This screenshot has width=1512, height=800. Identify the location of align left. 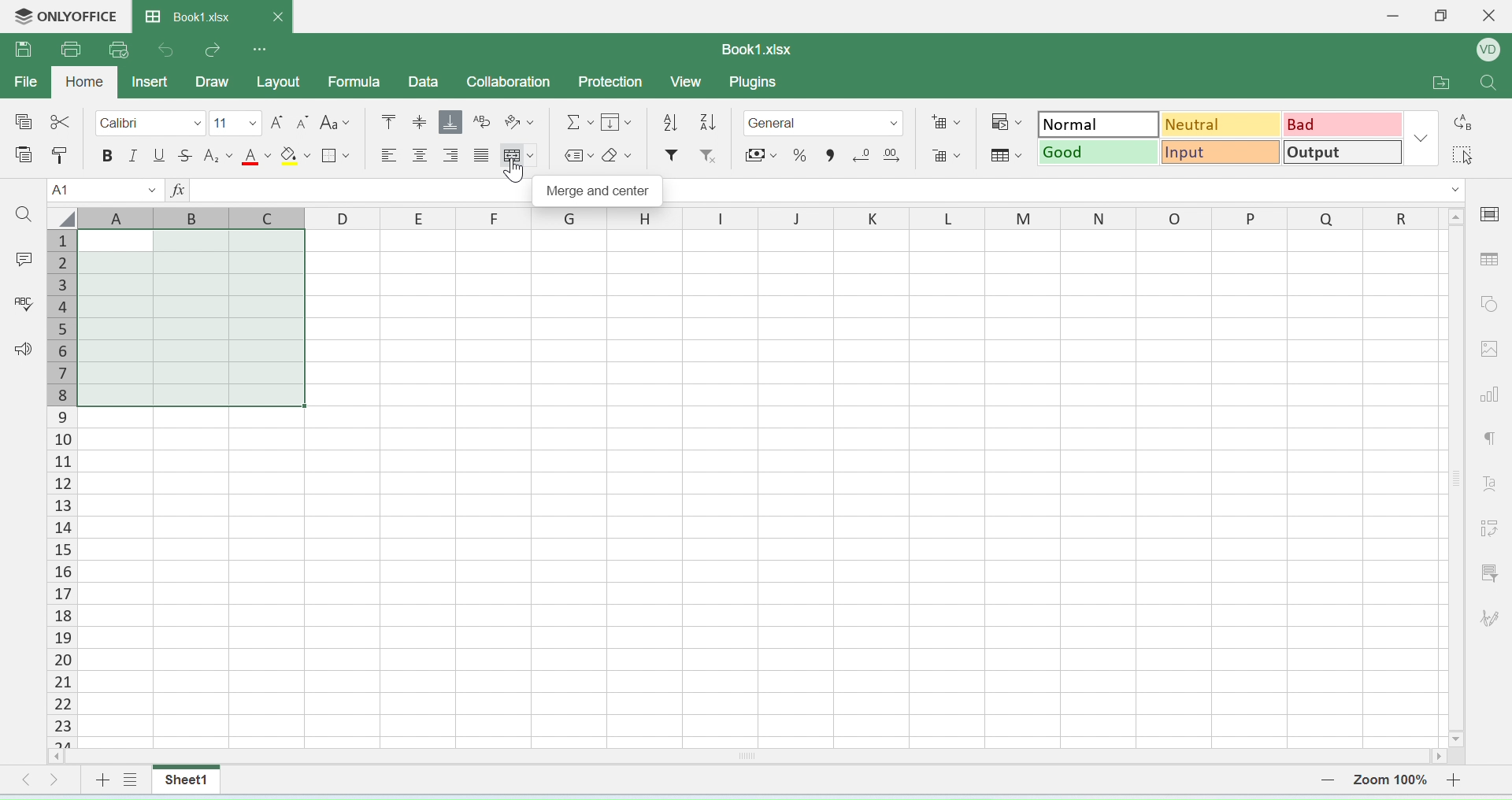
(386, 156).